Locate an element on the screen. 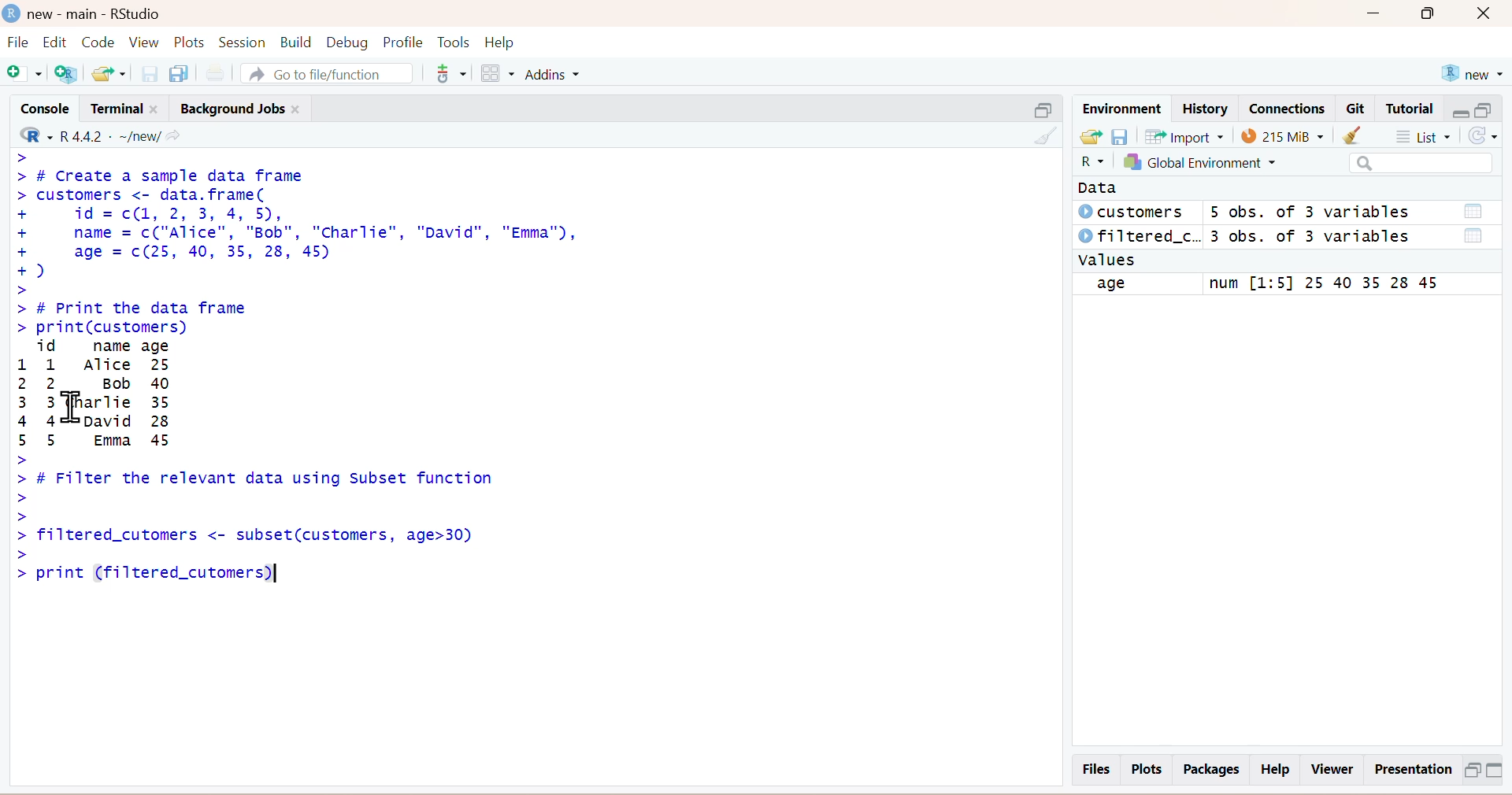 The width and height of the screenshot is (1512, 795). >
> # Create a sample data frame
customers <- data. frame(
id = c(1, 2, 3, 4, 5),
name = c("Alice", "Bob", "Charlie", "David", "Emma"),
age = c(25, 40, 35, 28, 45)
)
# Print the data frame
print(customers) is located at coordinates (325, 241).